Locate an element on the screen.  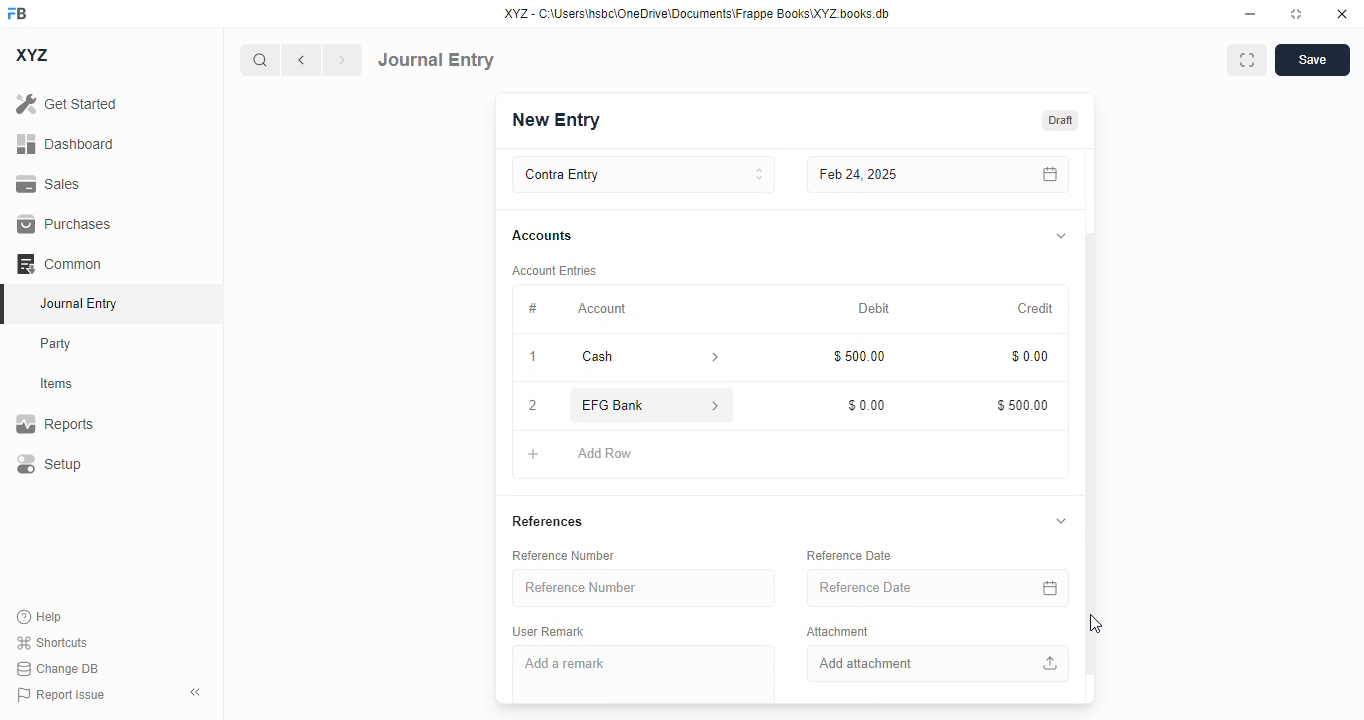
1 is located at coordinates (532, 356).